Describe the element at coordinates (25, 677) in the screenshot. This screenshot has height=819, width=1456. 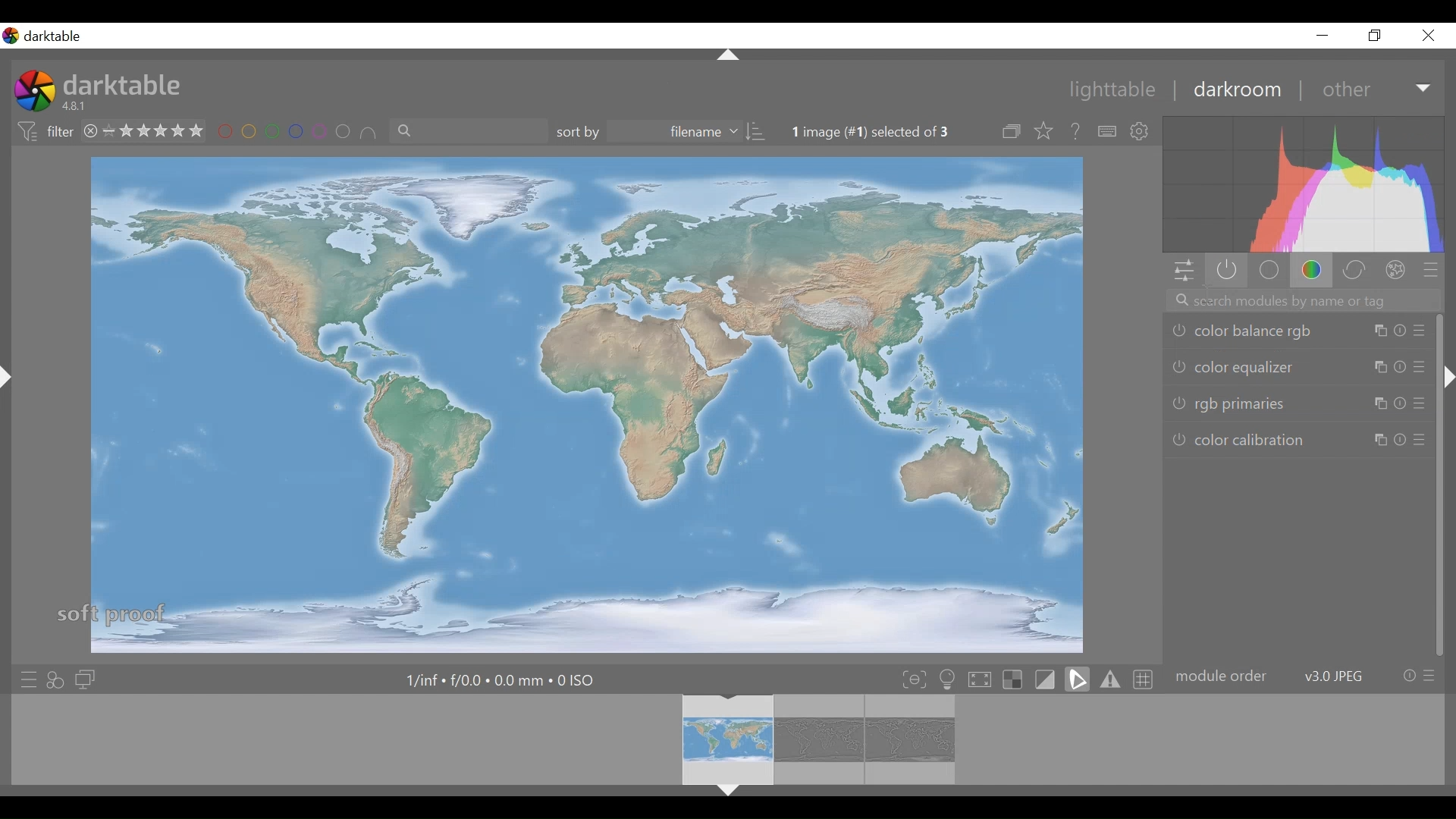
I see `quick access presets` at that location.